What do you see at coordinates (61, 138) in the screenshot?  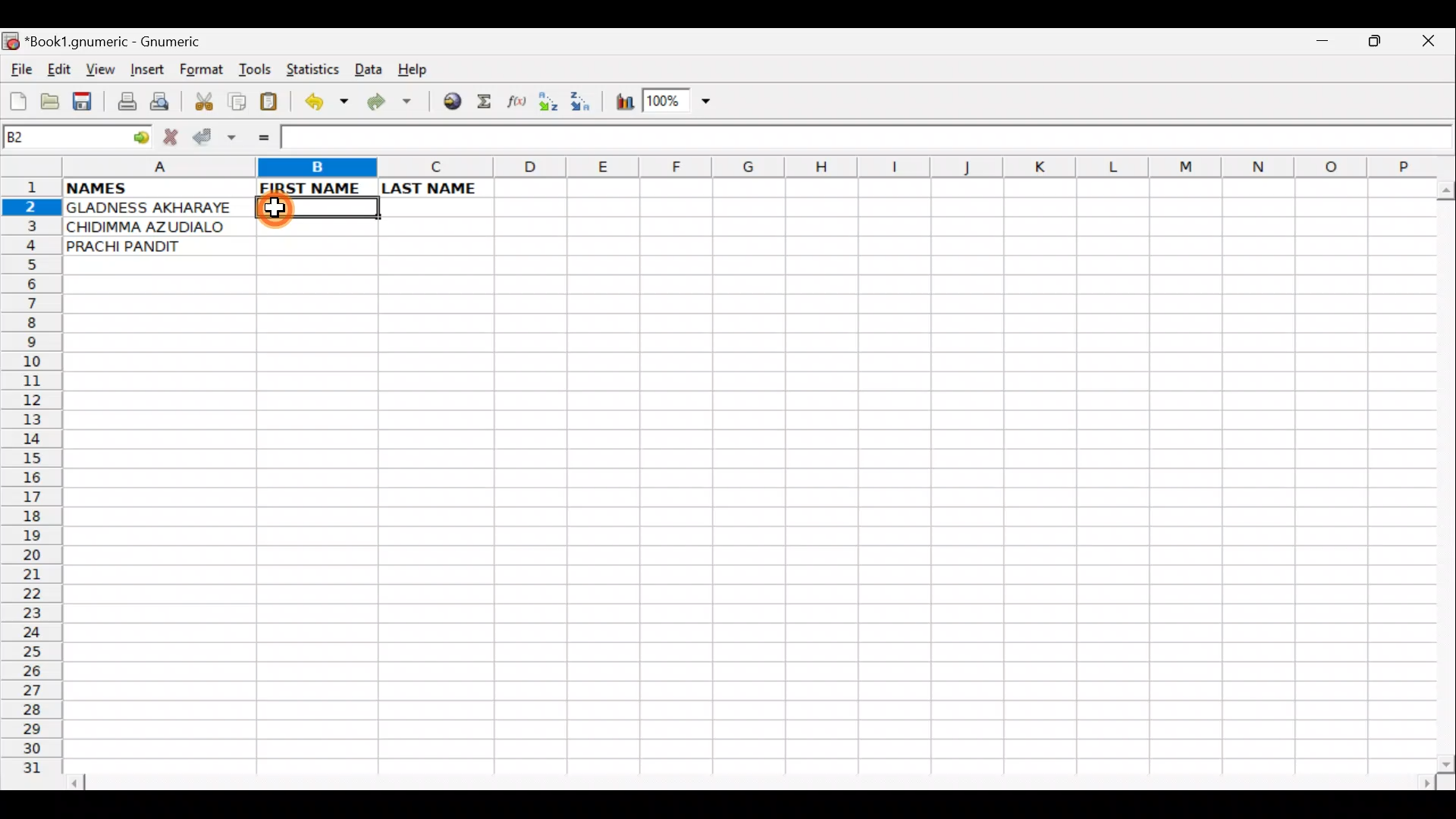 I see `Cell name B2` at bounding box center [61, 138].